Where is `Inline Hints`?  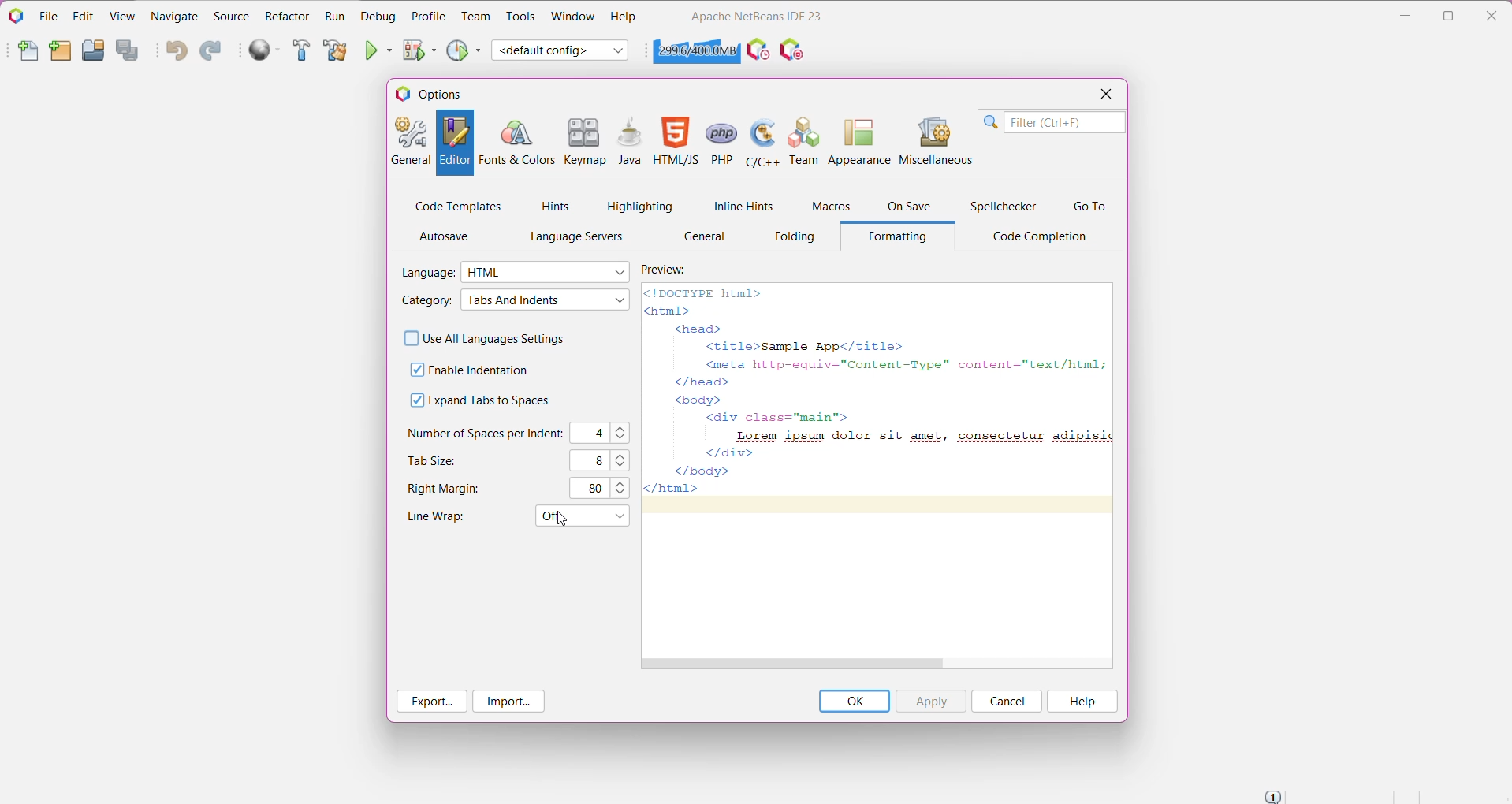 Inline Hints is located at coordinates (741, 206).